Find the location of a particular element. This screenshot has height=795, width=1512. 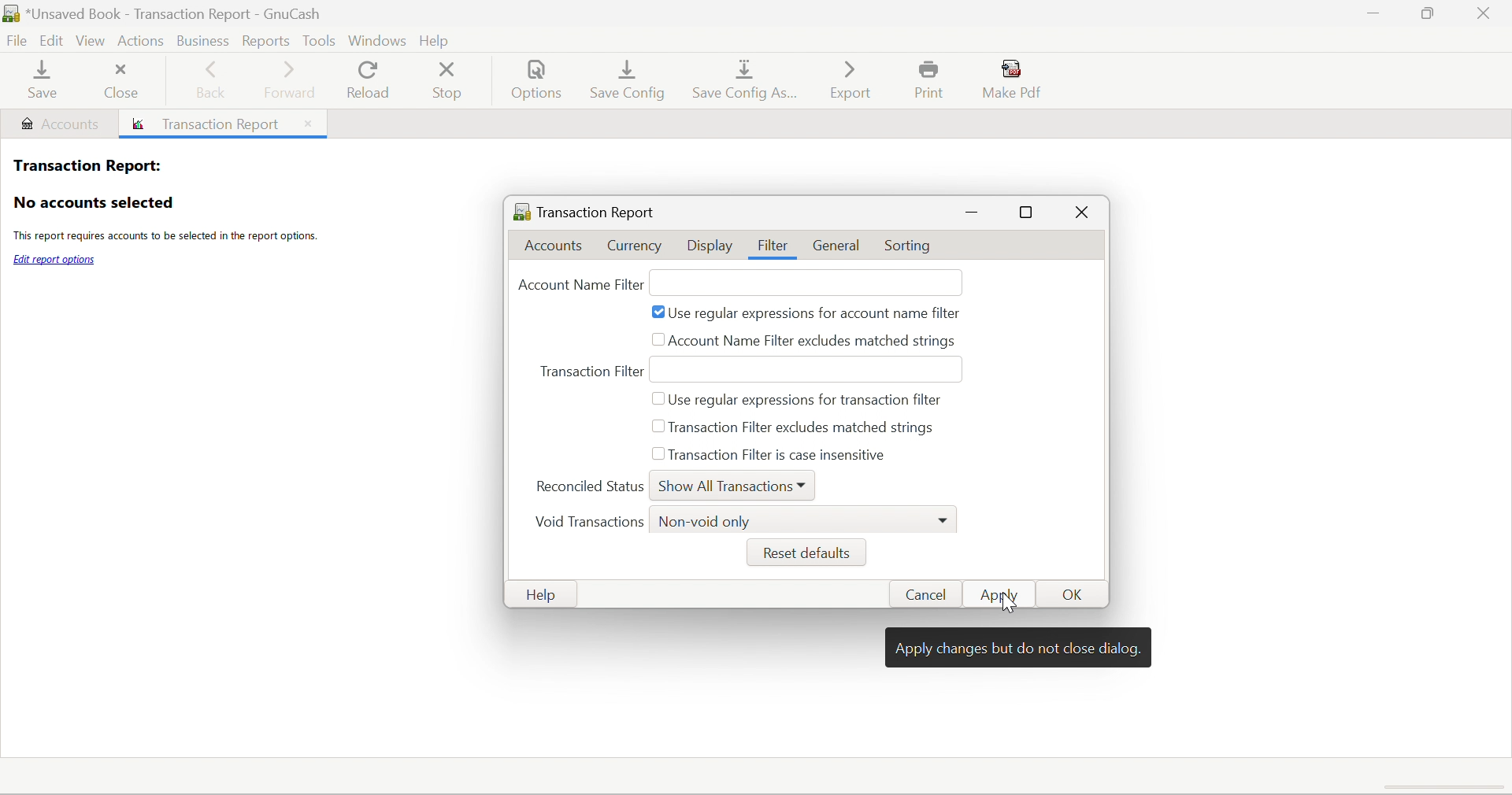

*Untitled - Accounts - GnuCash is located at coordinates (178, 13).